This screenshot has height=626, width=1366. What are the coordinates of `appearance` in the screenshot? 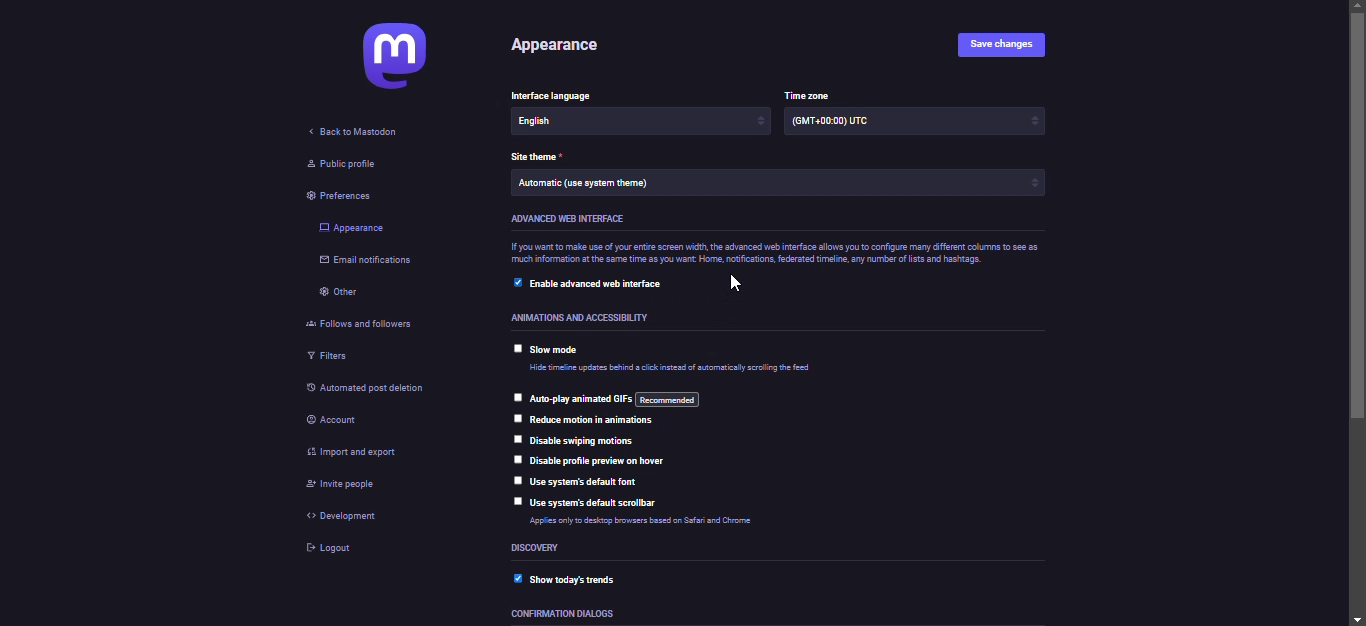 It's located at (559, 46).